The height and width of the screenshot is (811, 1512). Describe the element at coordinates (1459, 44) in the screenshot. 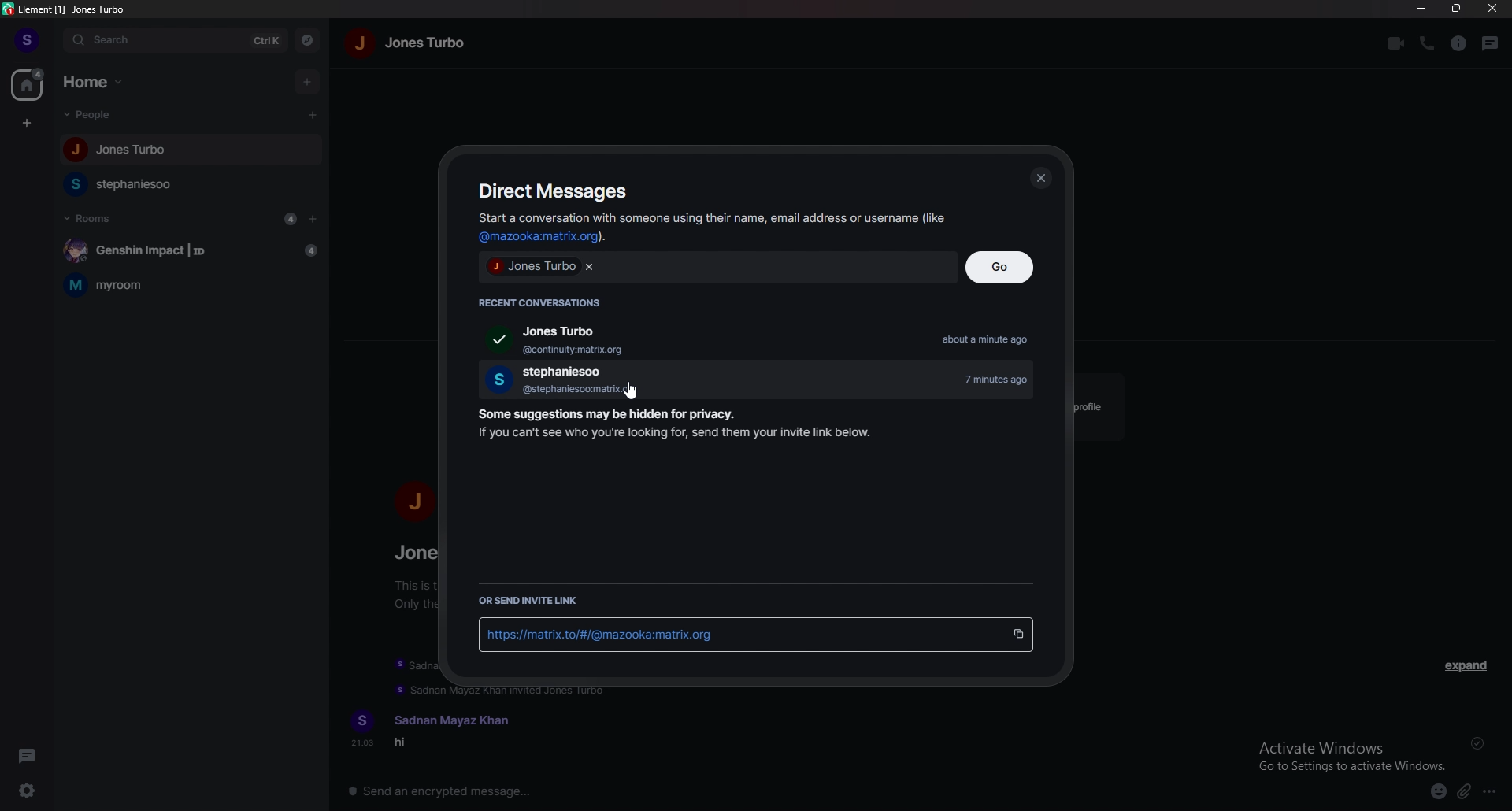

I see `room info` at that location.